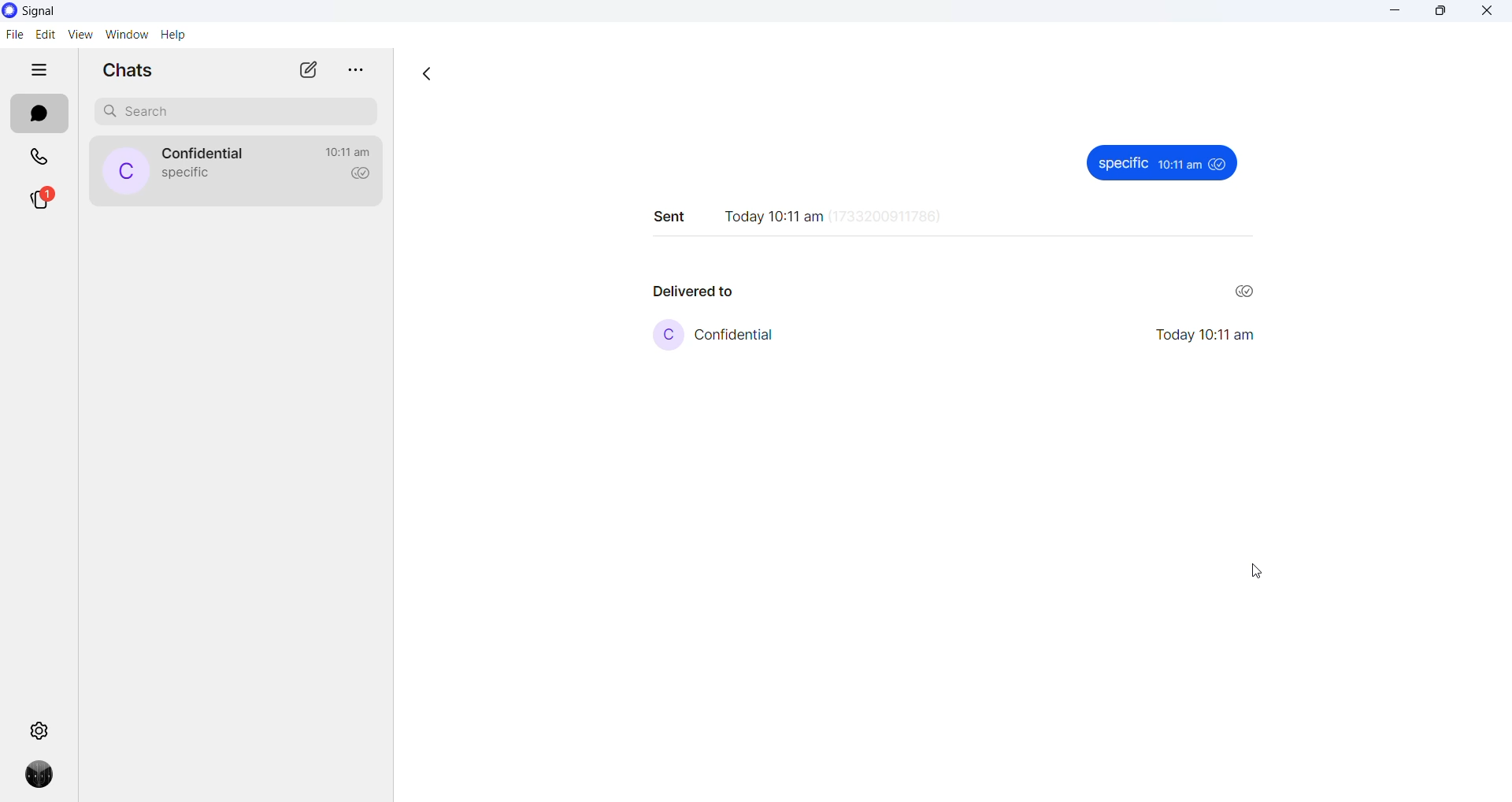 This screenshot has width=1512, height=802. What do you see at coordinates (734, 334) in the screenshot?
I see `contact name ` at bounding box center [734, 334].